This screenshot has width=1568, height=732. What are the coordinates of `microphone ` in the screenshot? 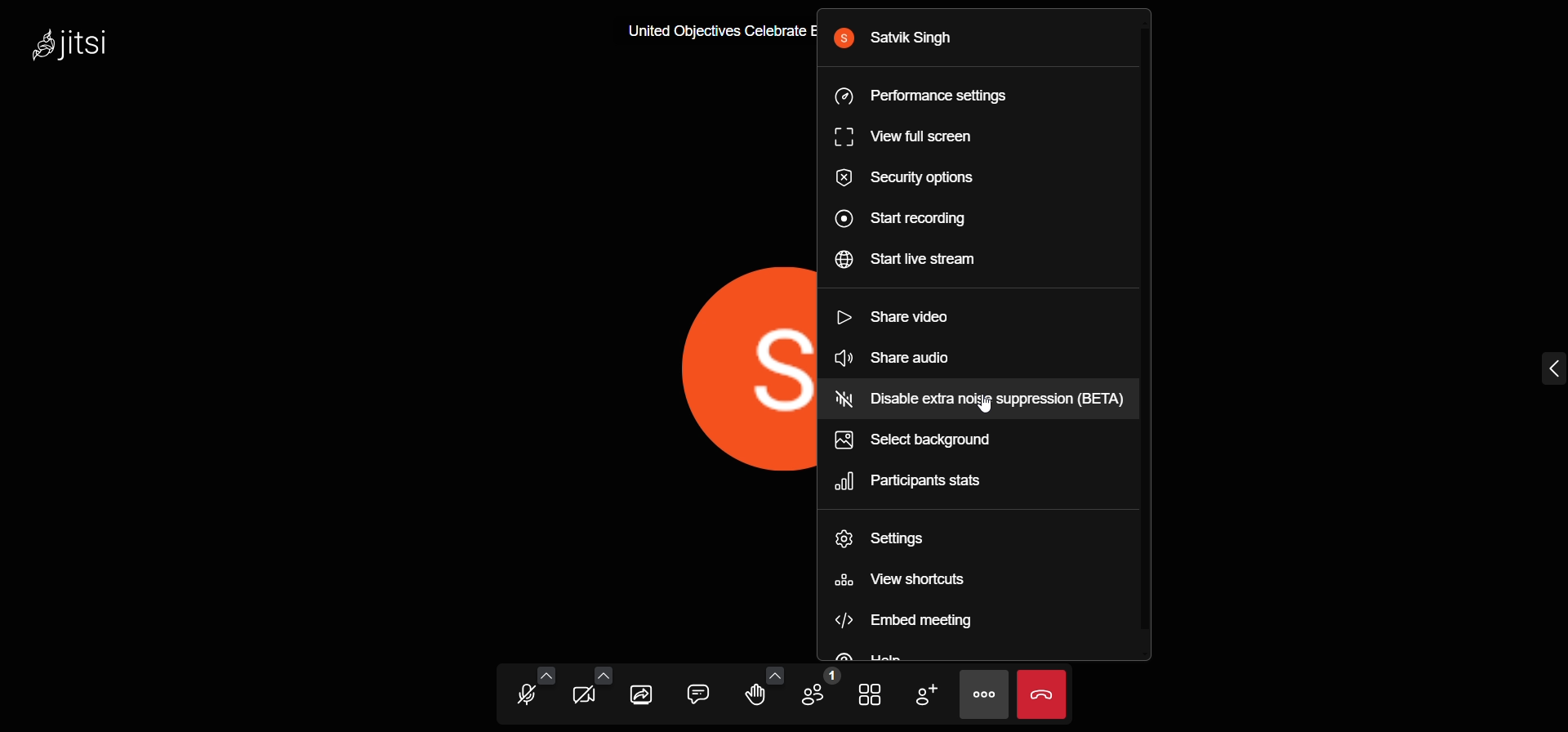 It's located at (528, 698).